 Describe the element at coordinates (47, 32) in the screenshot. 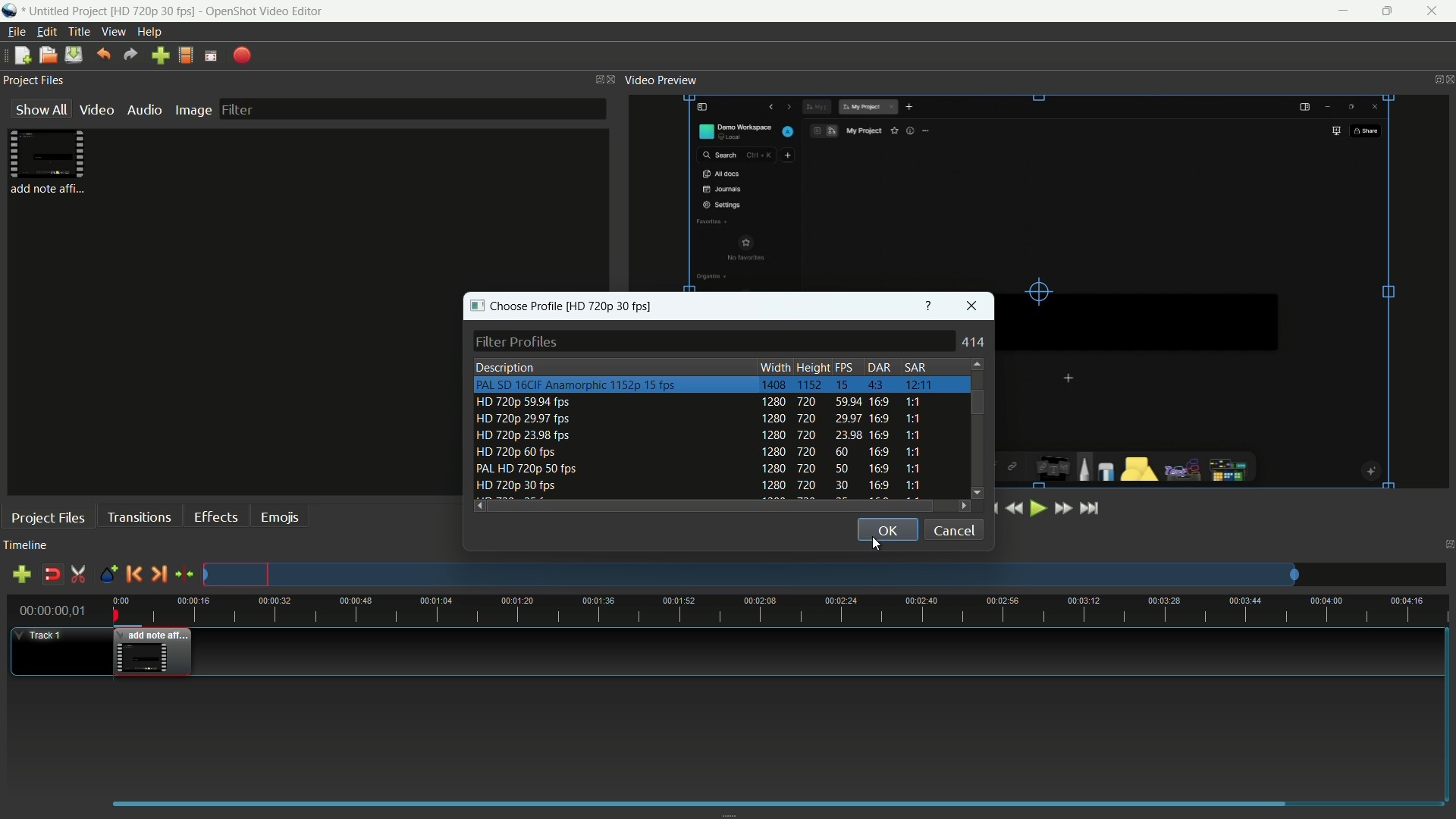

I see `edit menu` at that location.